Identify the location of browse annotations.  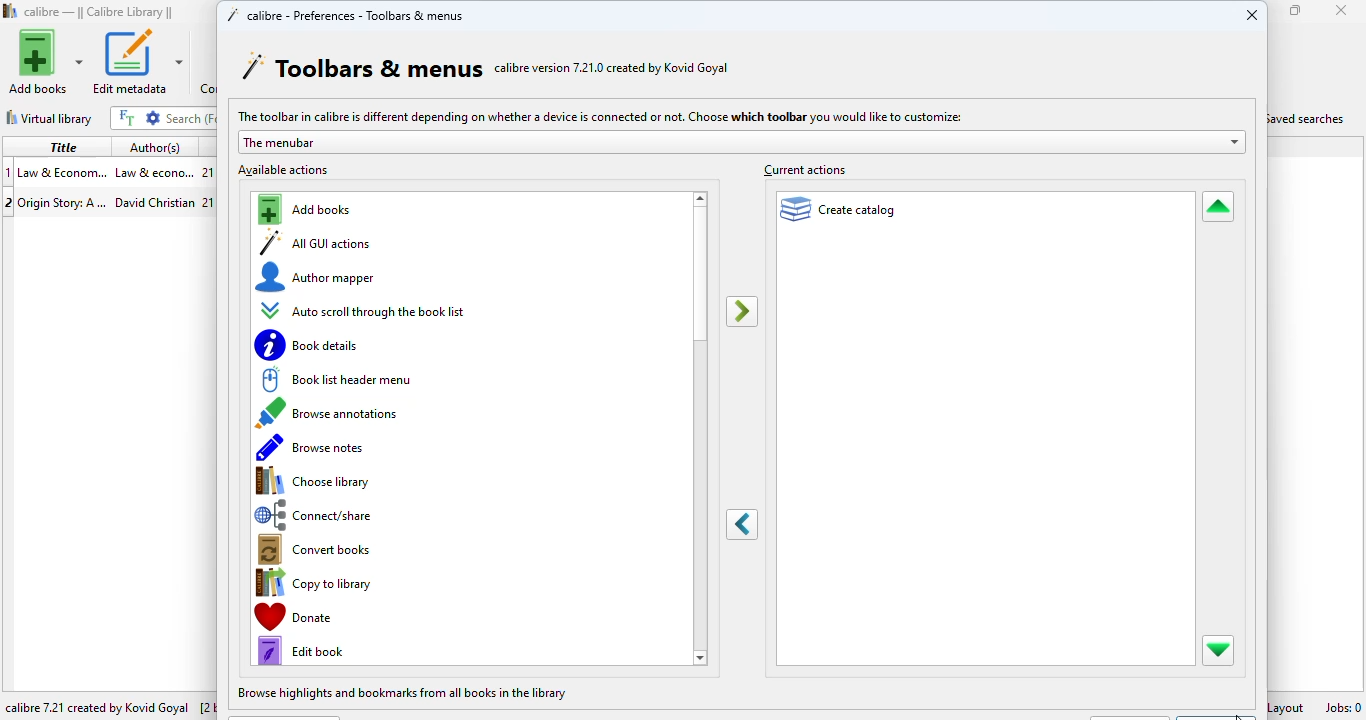
(333, 412).